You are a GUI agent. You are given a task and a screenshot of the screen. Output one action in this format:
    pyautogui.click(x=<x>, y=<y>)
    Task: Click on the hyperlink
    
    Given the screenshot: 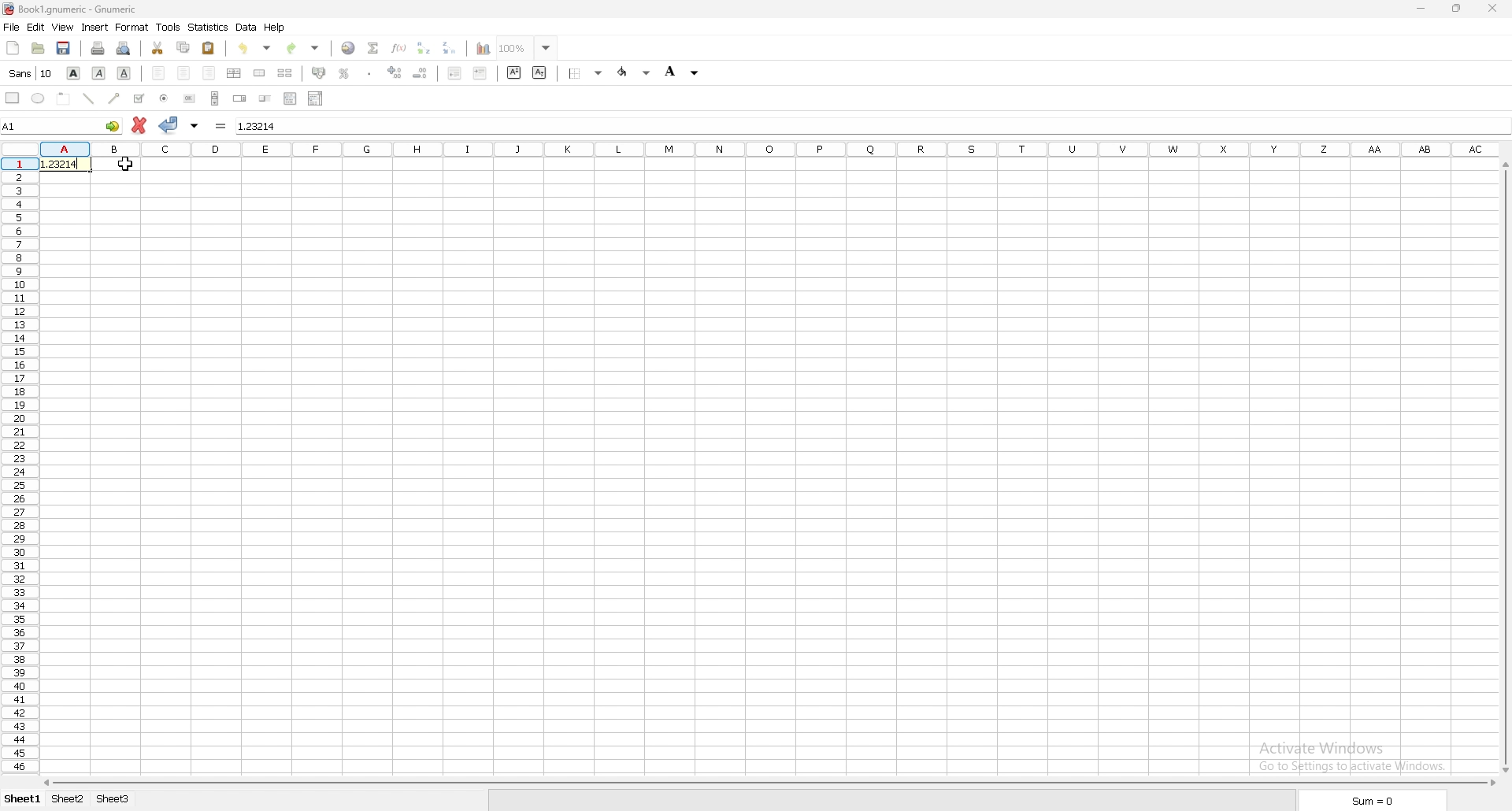 What is the action you would take?
    pyautogui.click(x=349, y=48)
    